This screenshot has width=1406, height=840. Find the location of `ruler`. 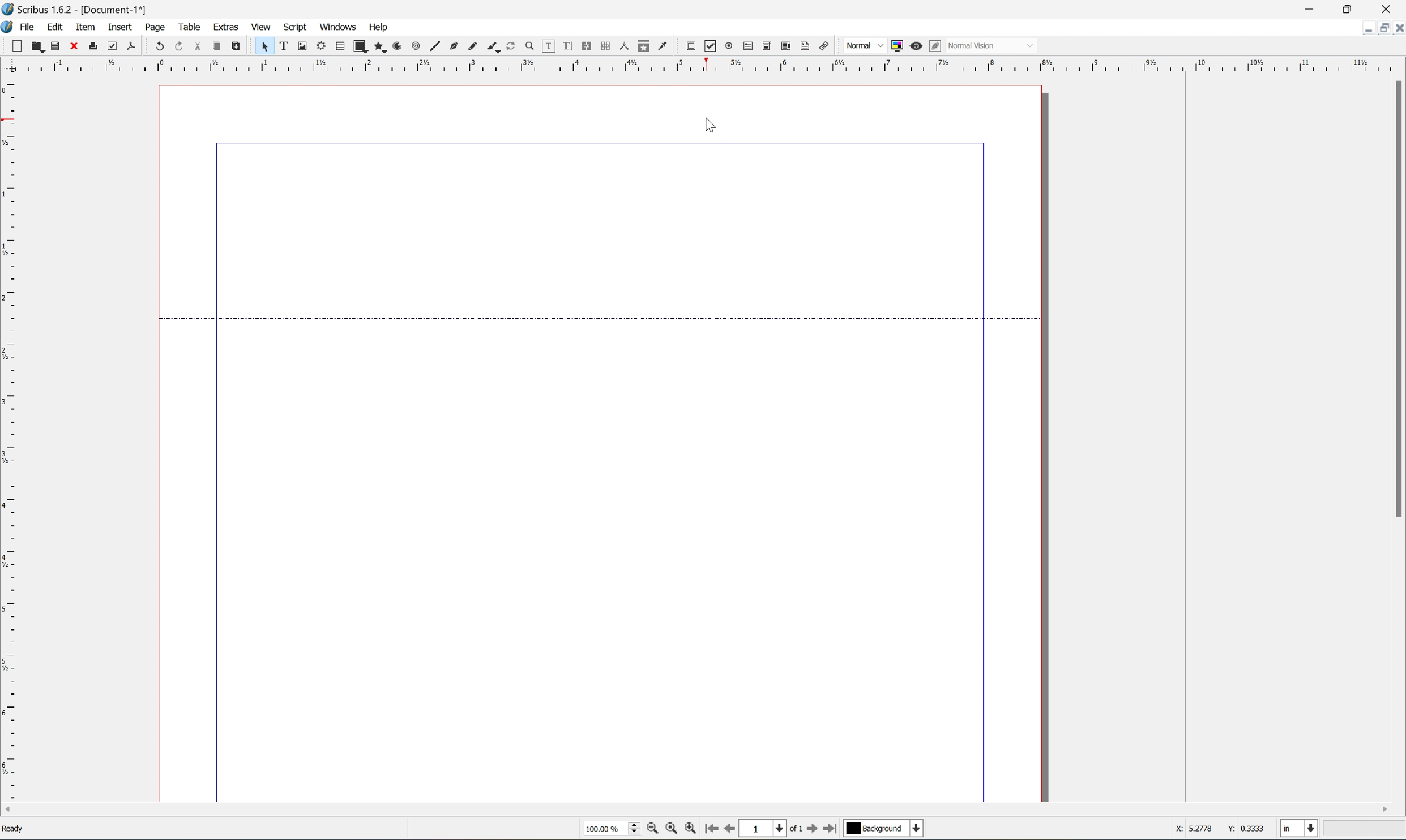

ruler is located at coordinates (706, 63).